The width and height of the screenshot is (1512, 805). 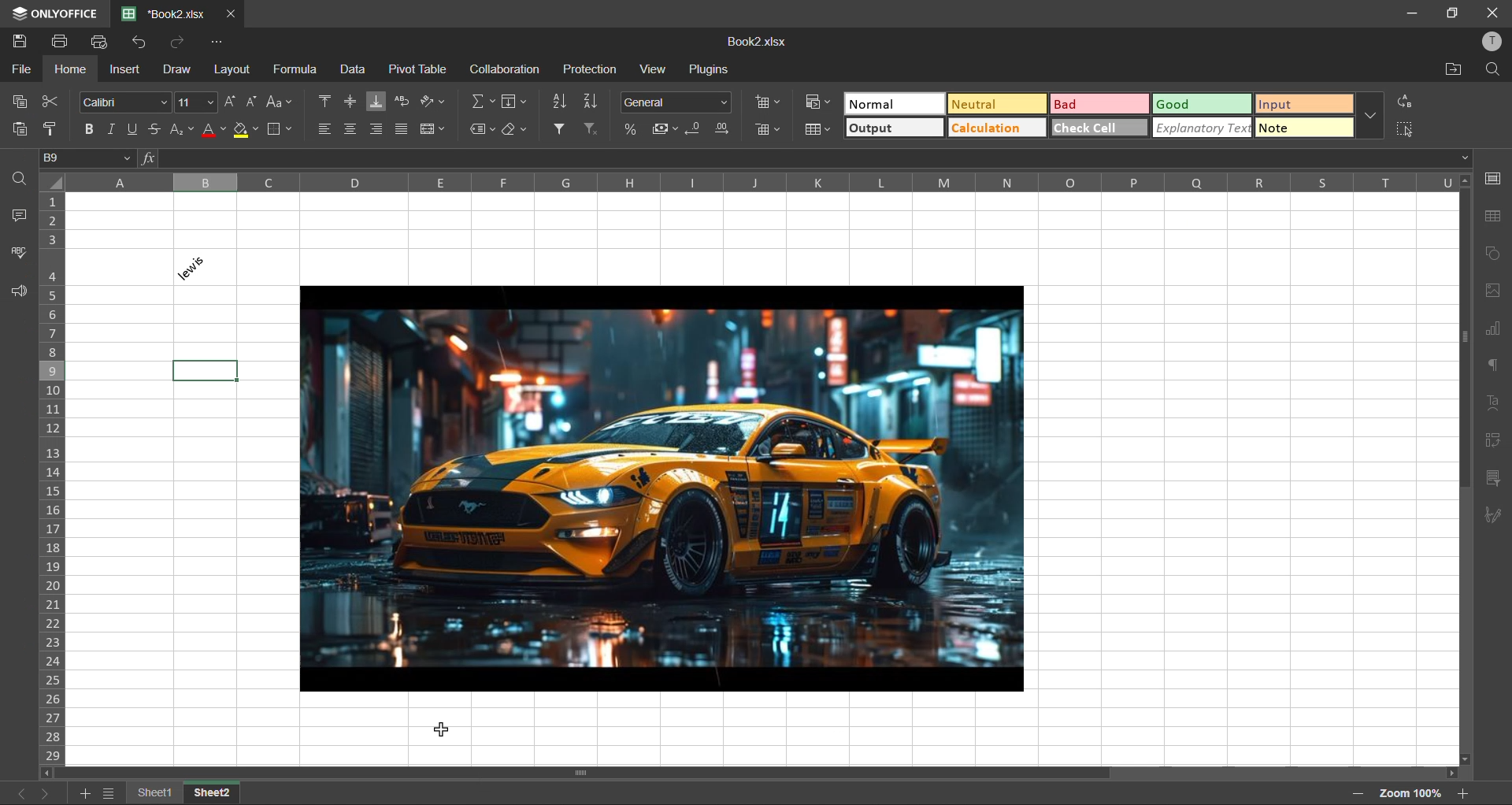 I want to click on picture, so click(x=663, y=489).